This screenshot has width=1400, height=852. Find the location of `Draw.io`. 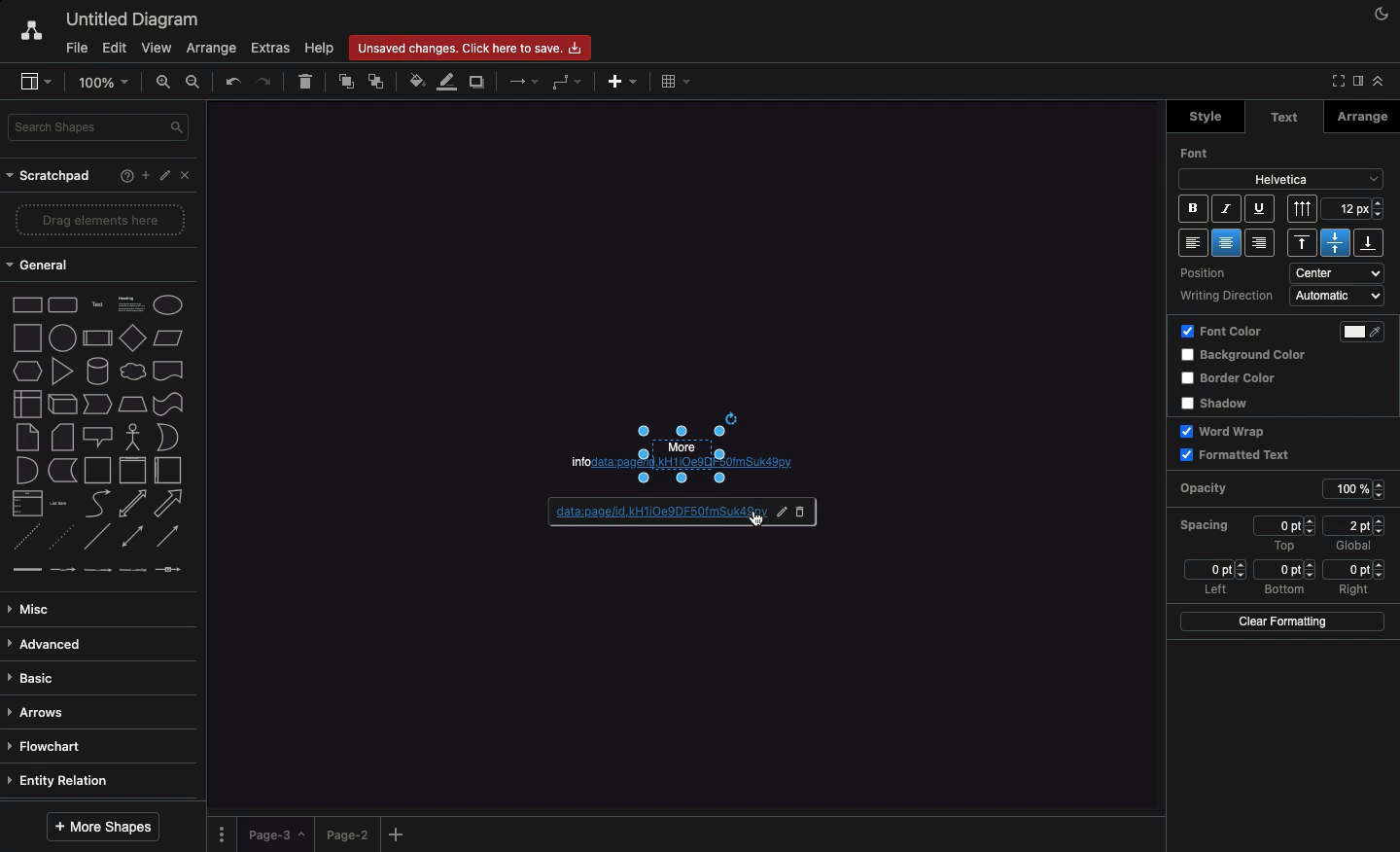

Draw.io is located at coordinates (21, 33).